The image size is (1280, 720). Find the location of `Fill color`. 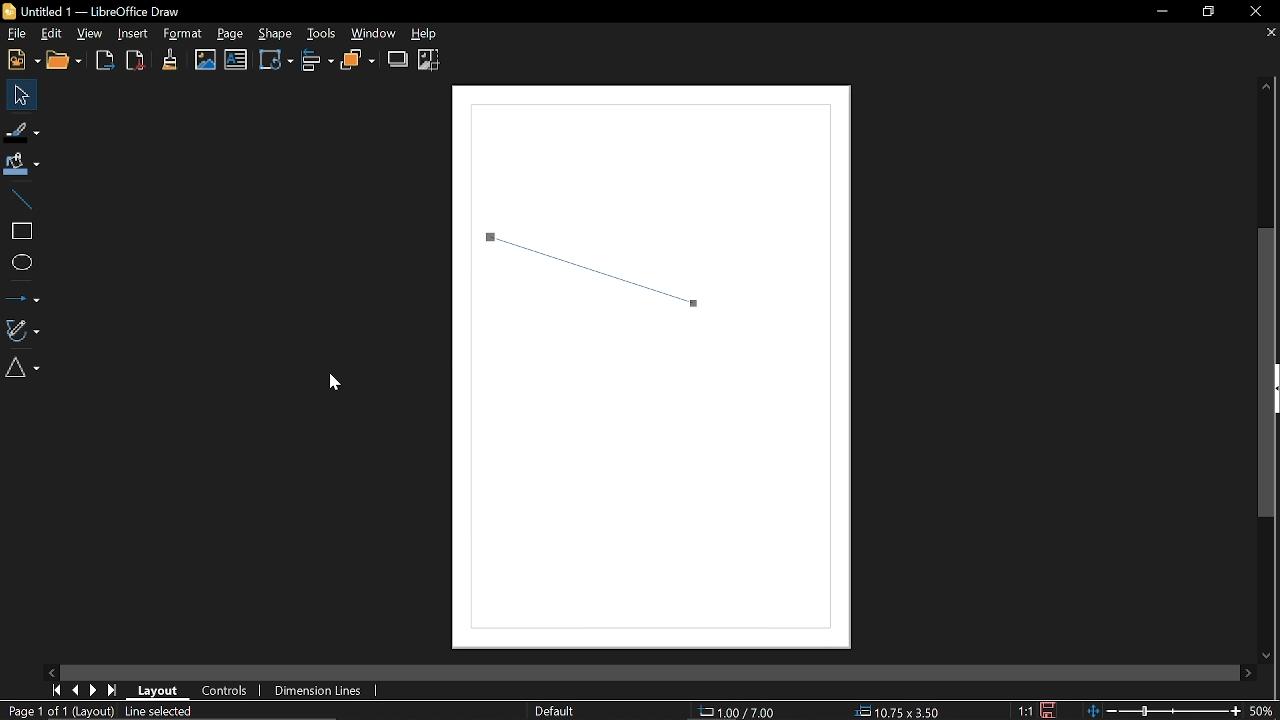

Fill color is located at coordinates (22, 163).